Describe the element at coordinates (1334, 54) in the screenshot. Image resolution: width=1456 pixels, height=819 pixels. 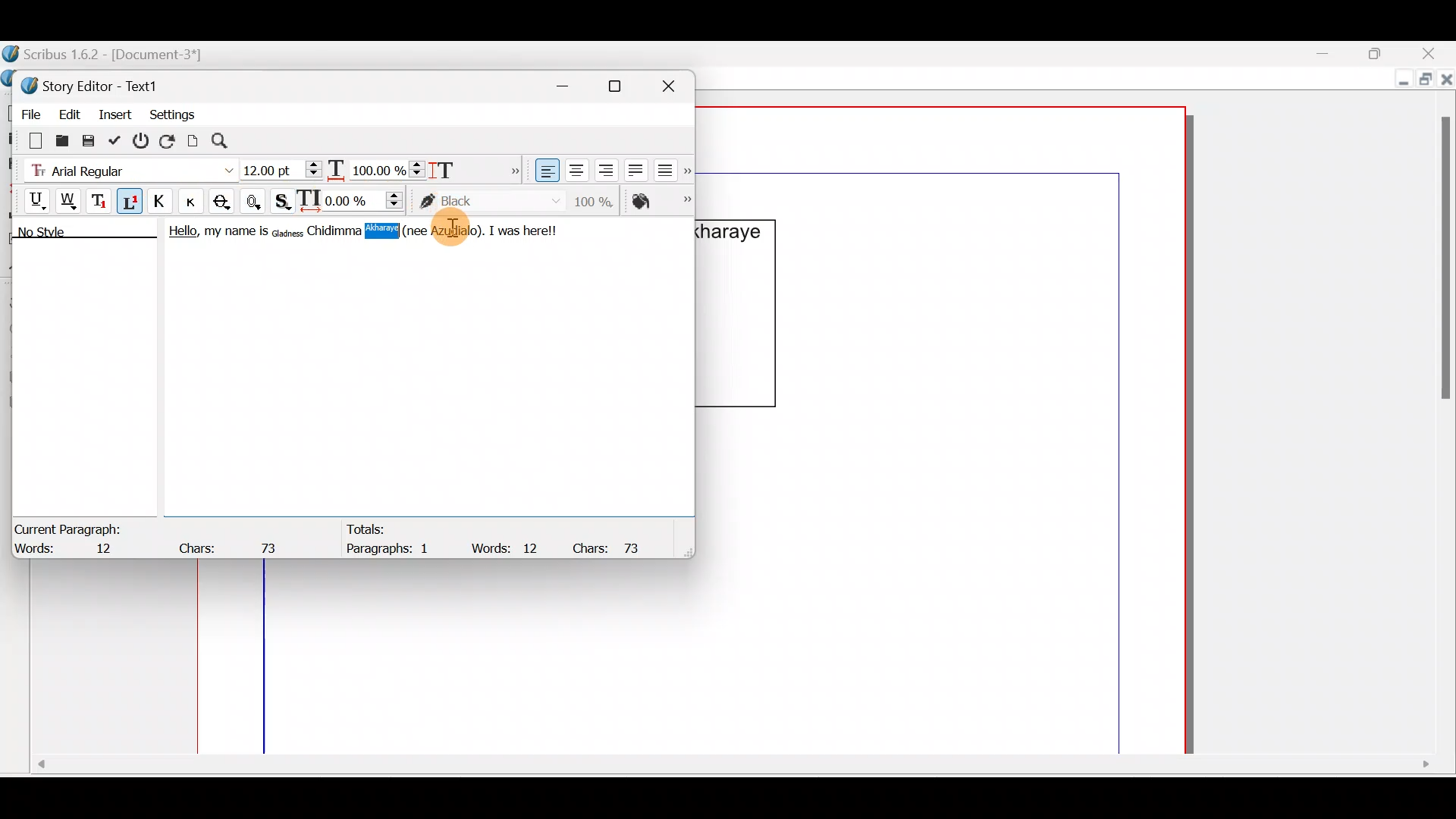
I see `Minimize` at that location.